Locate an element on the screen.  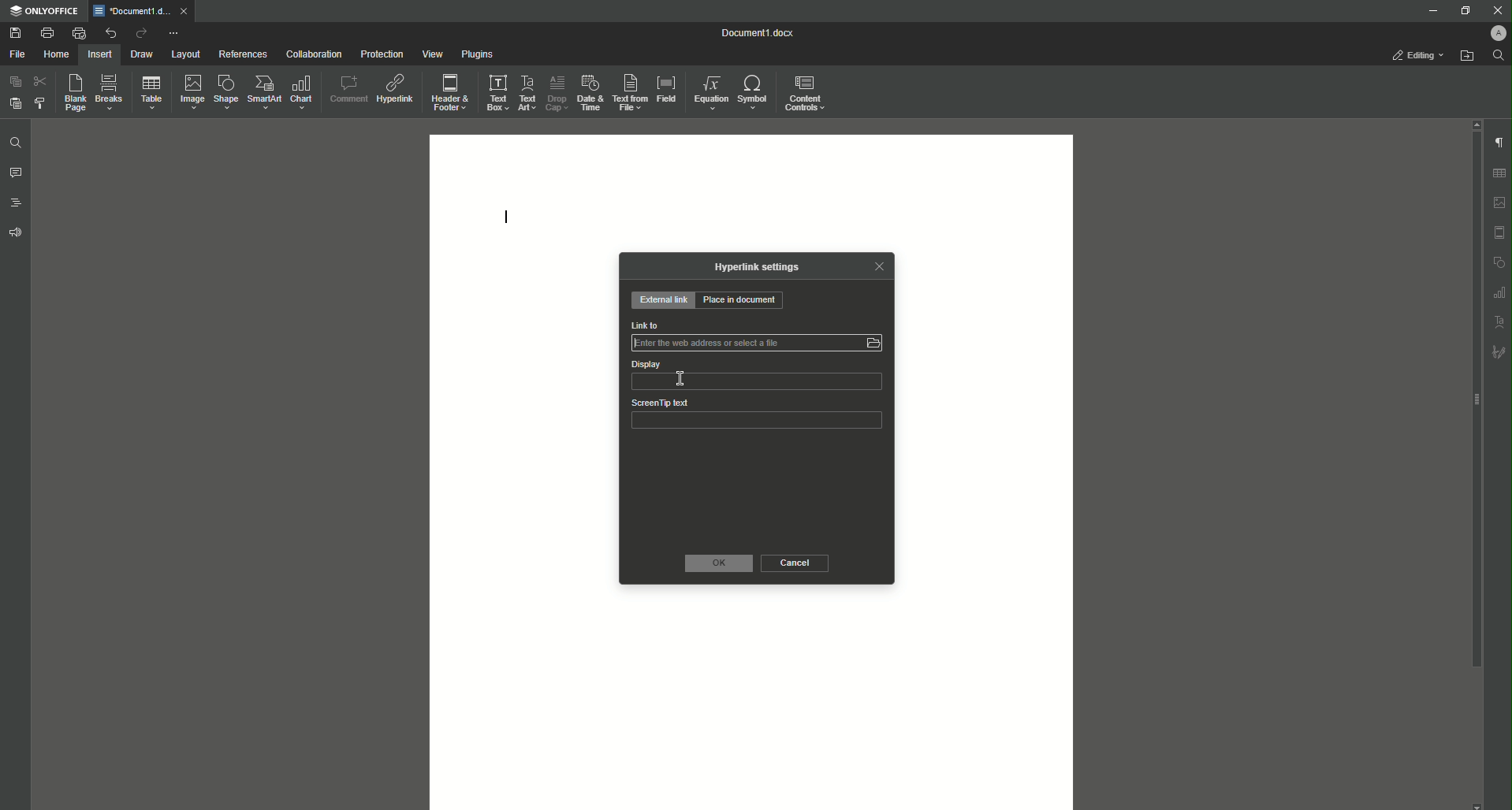
ONLYOFFICE is located at coordinates (44, 12).